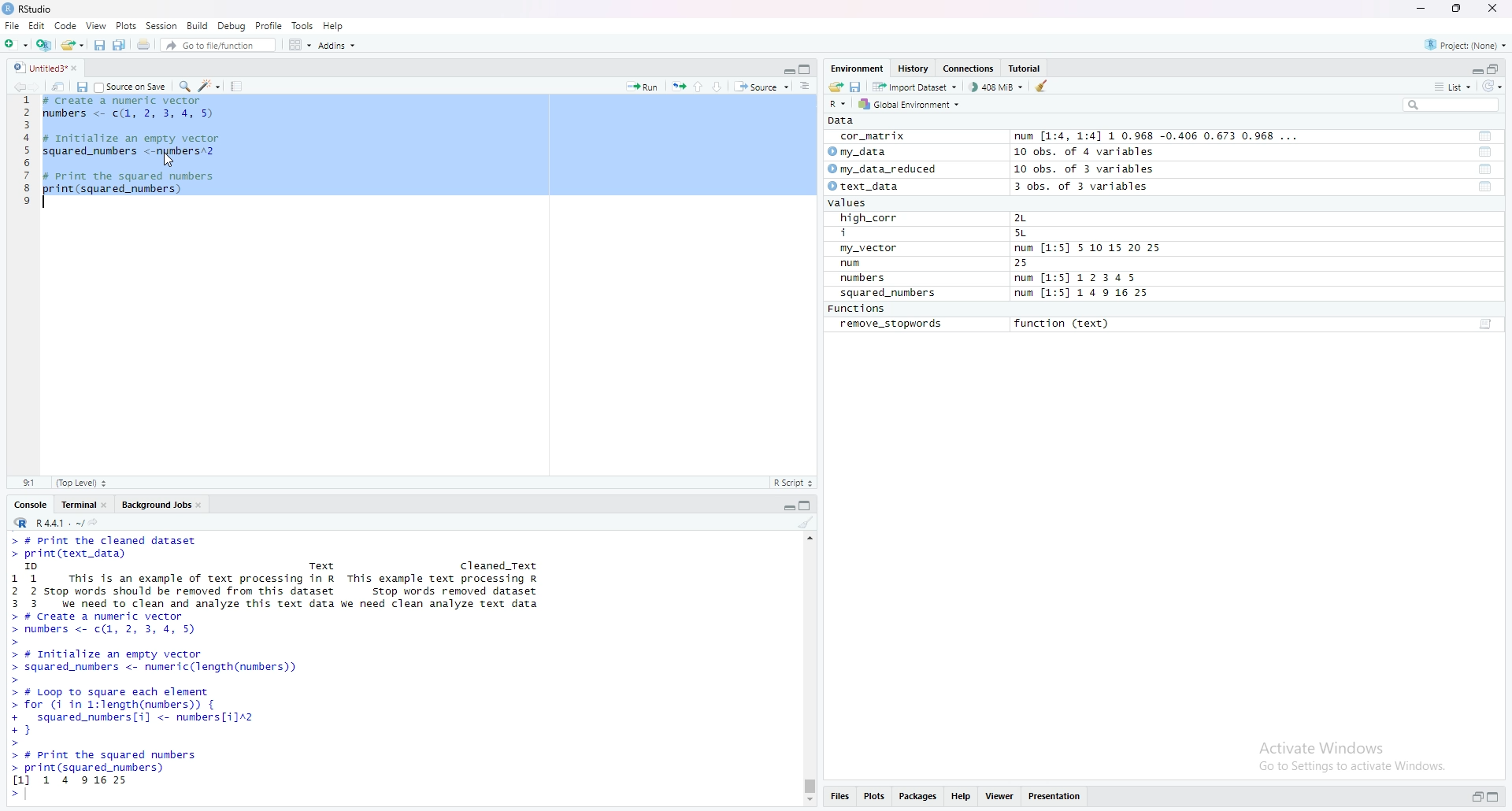 The width and height of the screenshot is (1512, 811). Describe the element at coordinates (1028, 69) in the screenshot. I see `Tutorial` at that location.